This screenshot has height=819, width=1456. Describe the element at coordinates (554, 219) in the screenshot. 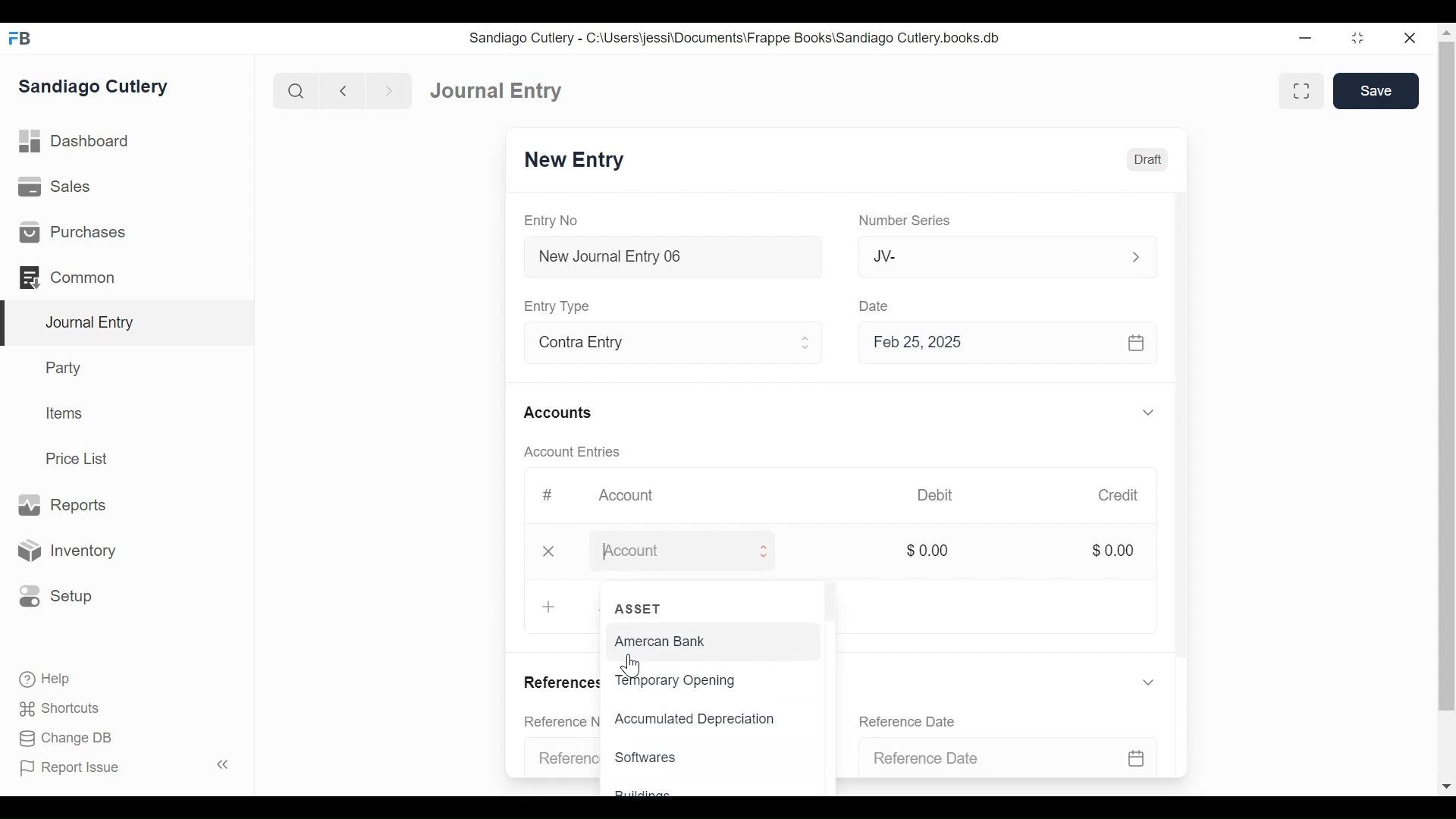

I see `Entry No` at that location.